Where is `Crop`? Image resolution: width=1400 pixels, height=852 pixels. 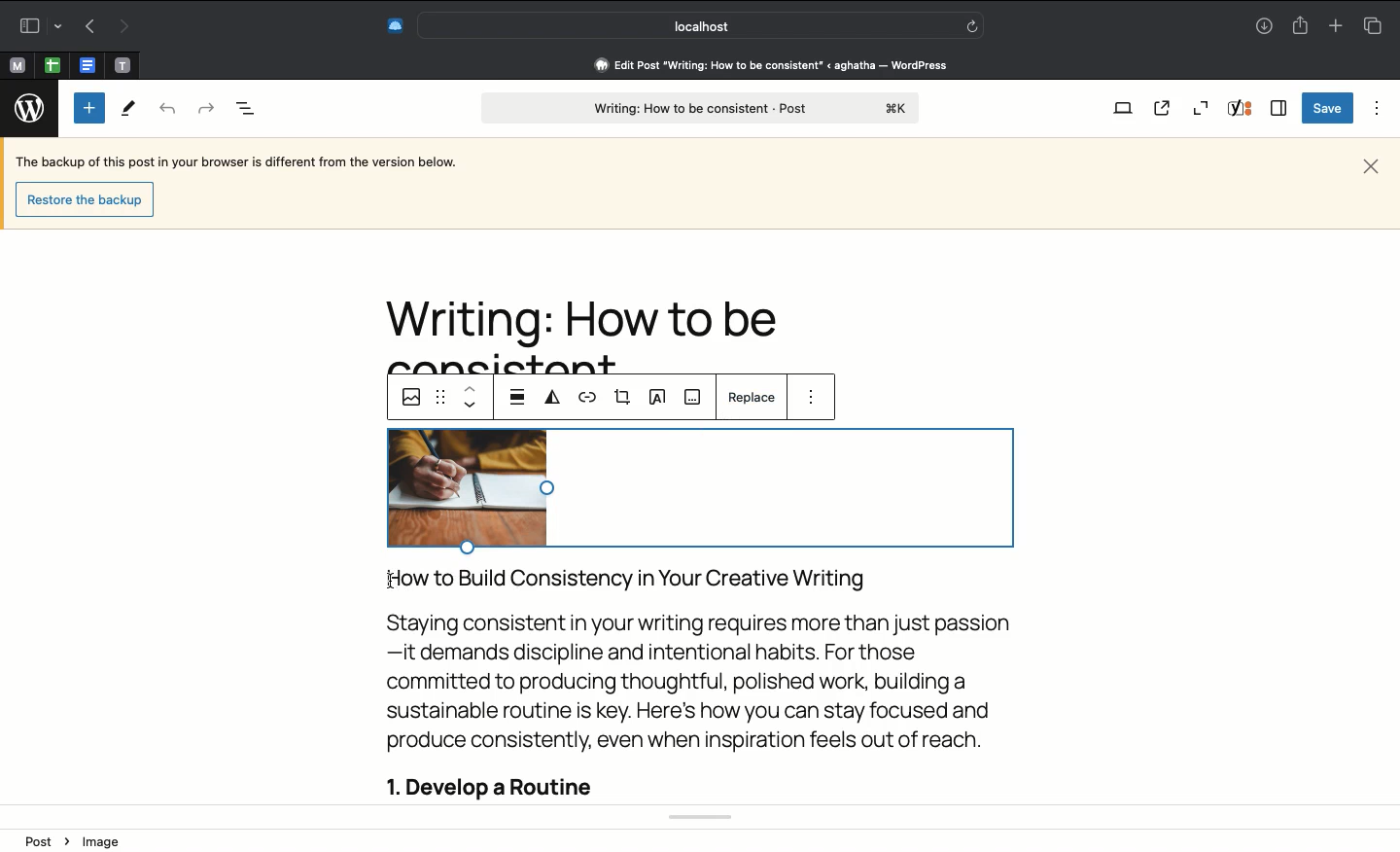
Crop is located at coordinates (622, 397).